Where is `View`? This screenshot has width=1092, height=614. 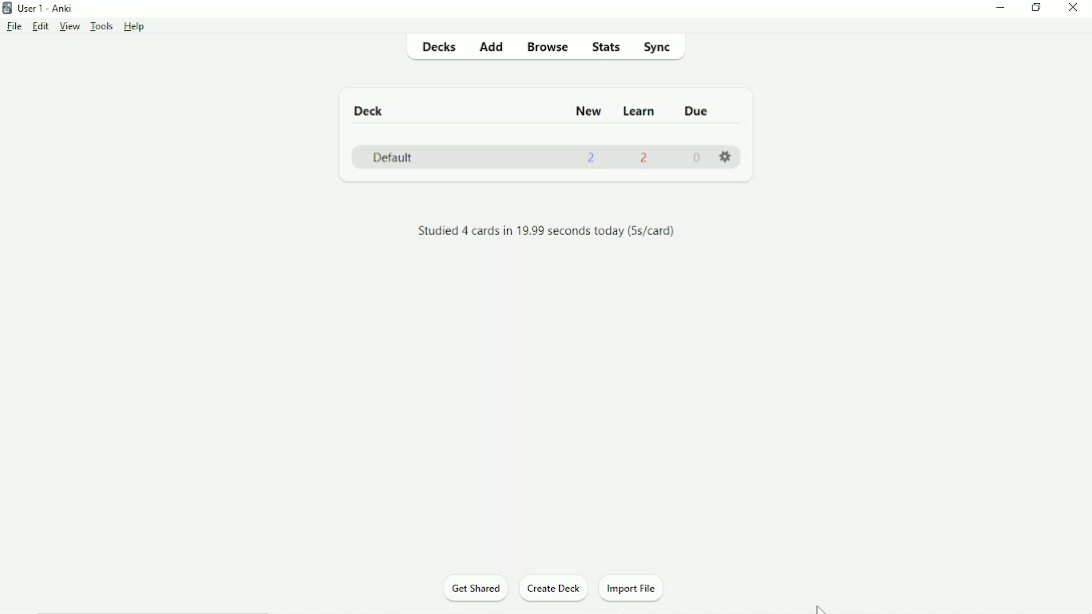
View is located at coordinates (70, 27).